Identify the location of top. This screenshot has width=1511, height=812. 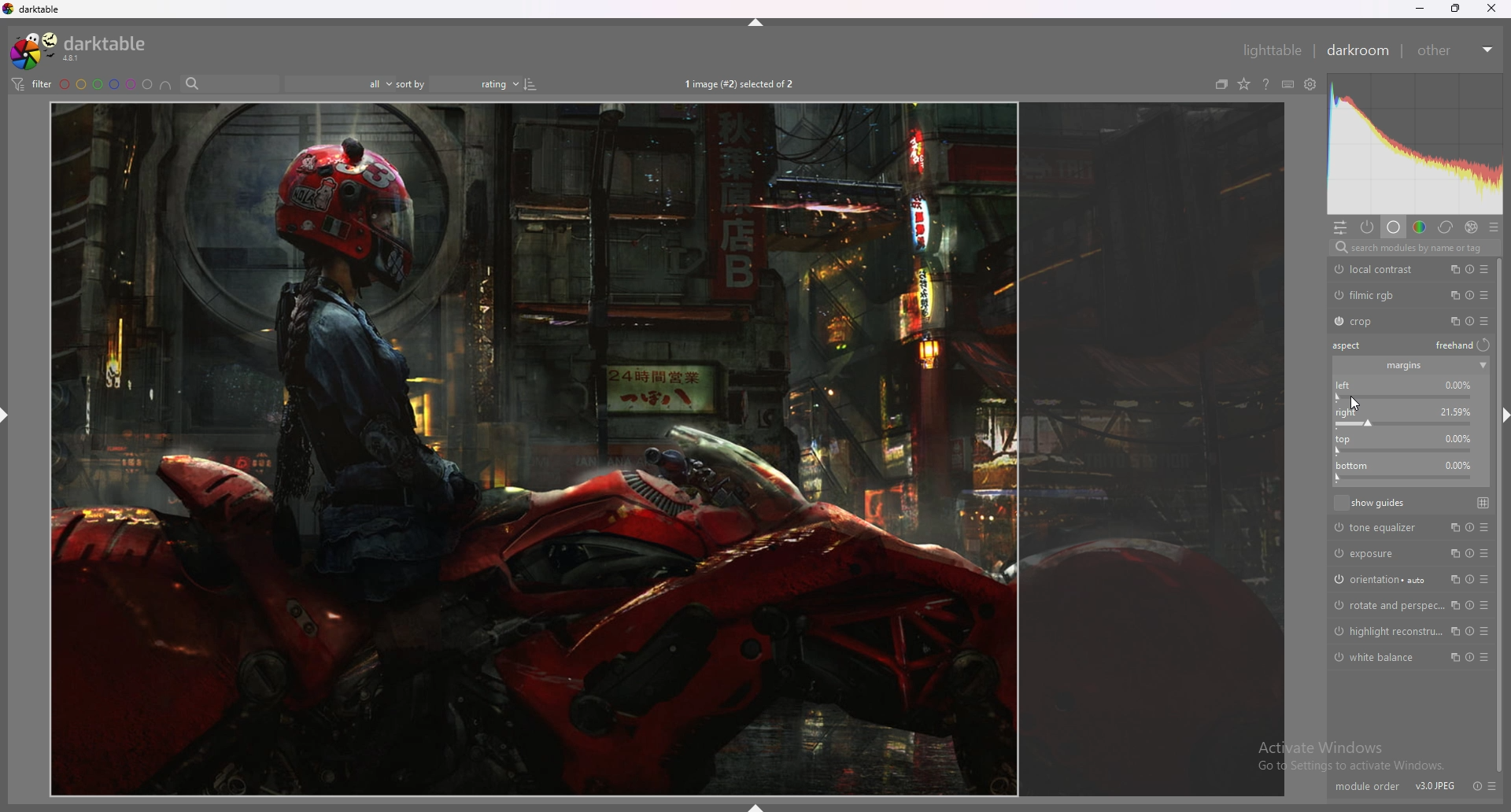
(1407, 419).